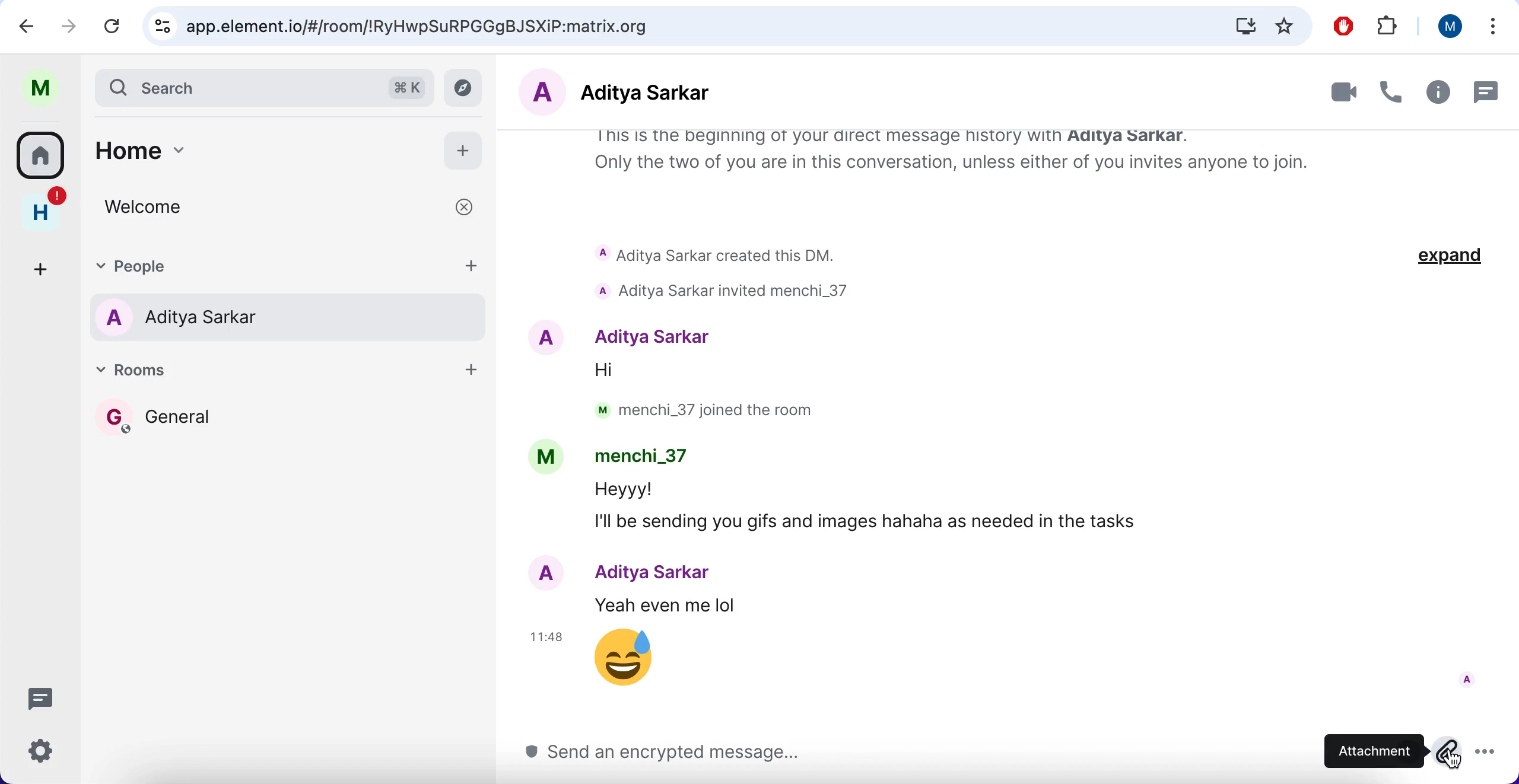 The image size is (1519, 784). What do you see at coordinates (1450, 27) in the screenshot?
I see `user` at bounding box center [1450, 27].